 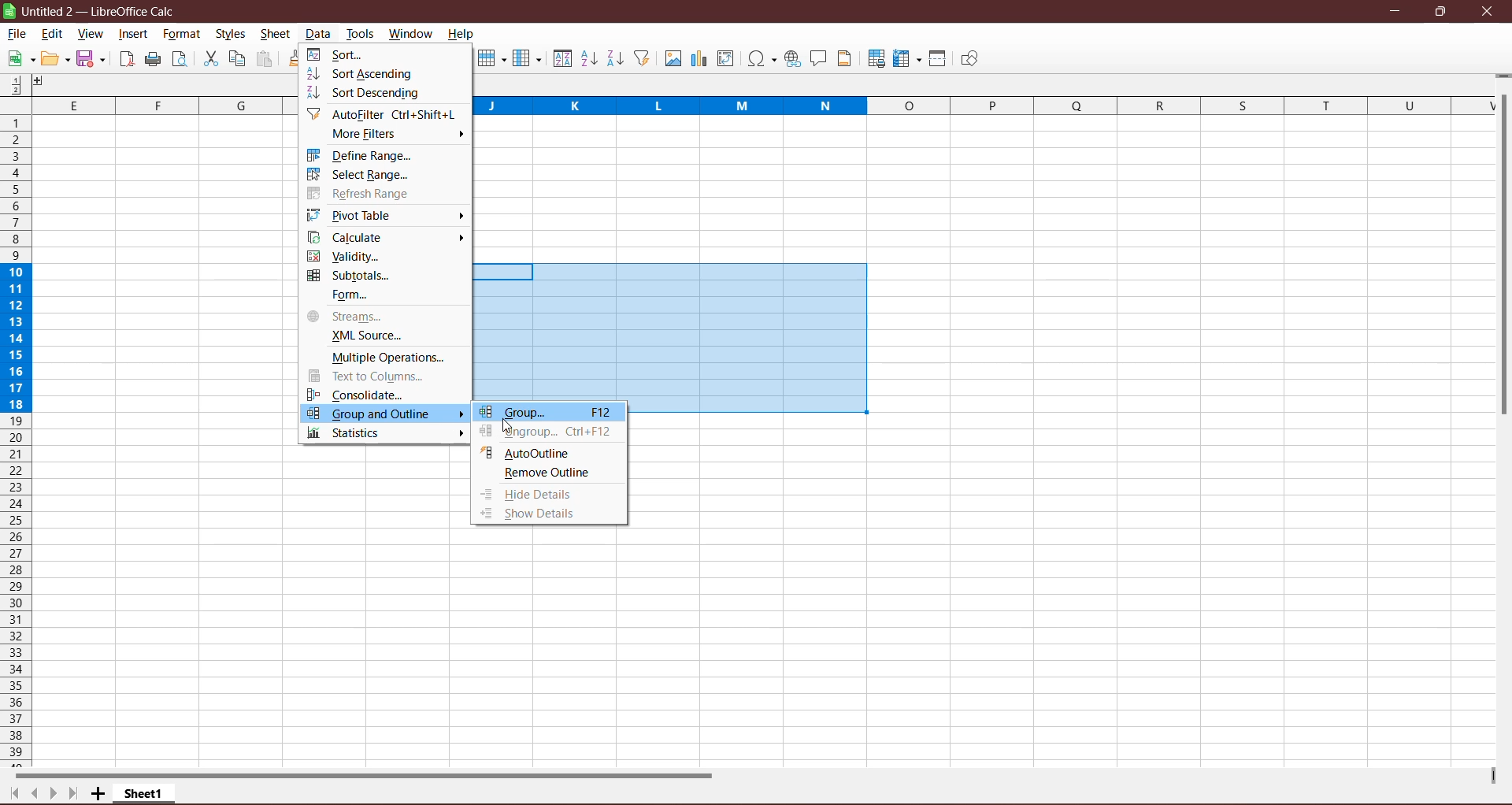 I want to click on Window, so click(x=410, y=33).